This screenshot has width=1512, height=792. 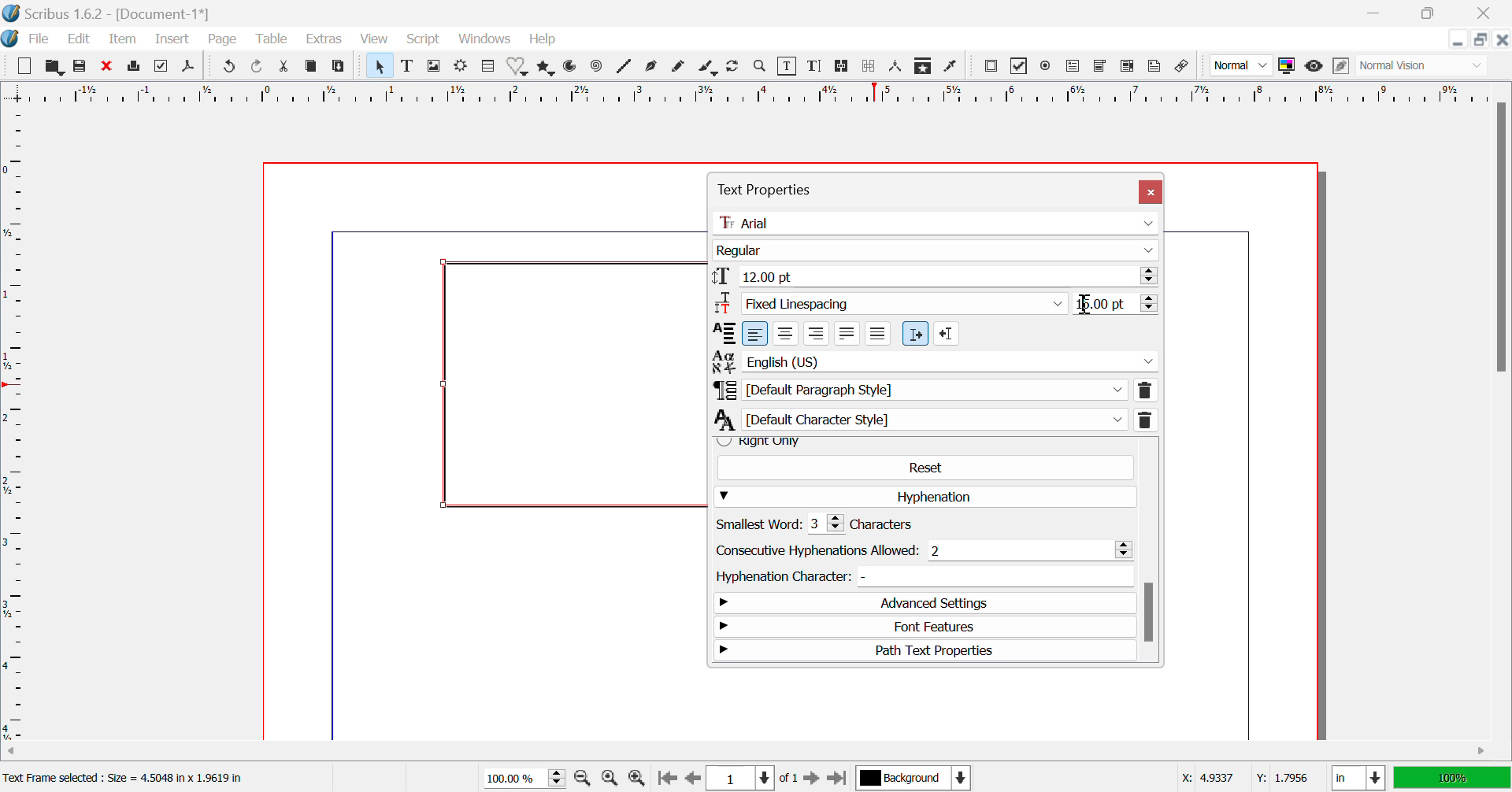 What do you see at coordinates (736, 751) in the screenshot?
I see `Horizontal Scroll Bar` at bounding box center [736, 751].